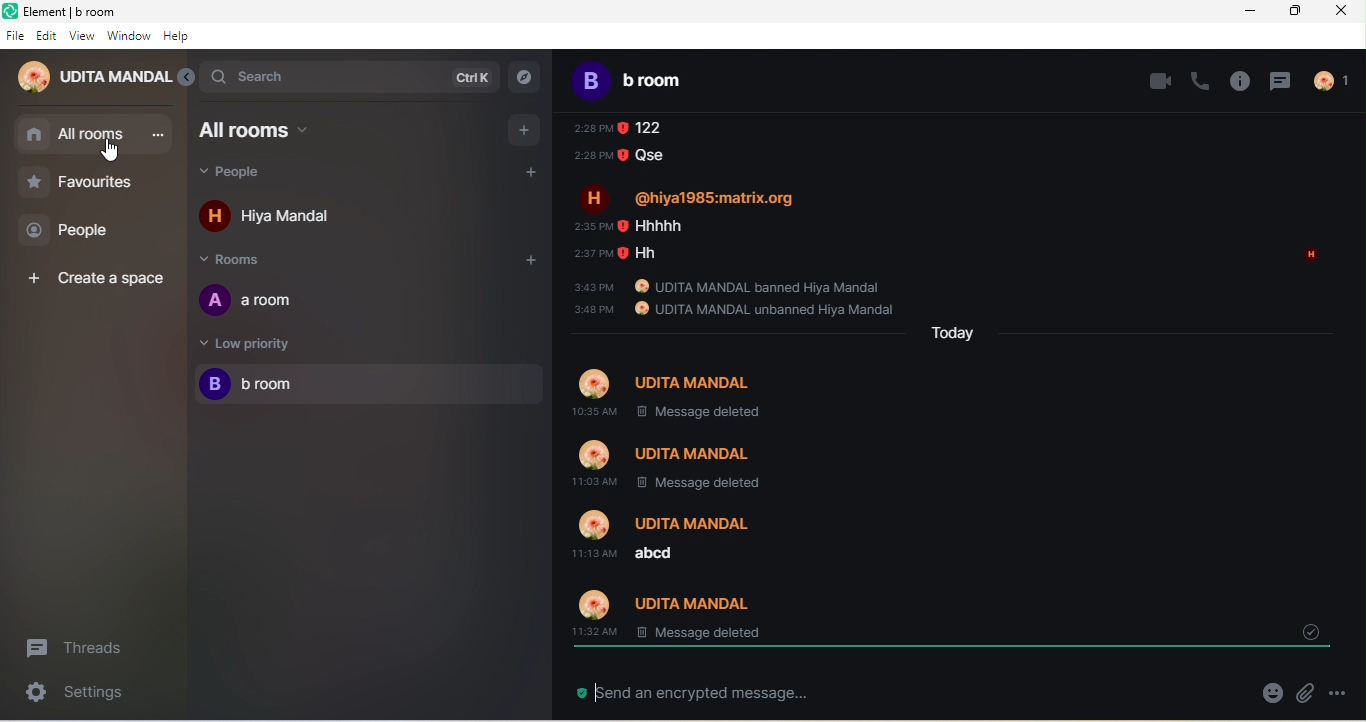 This screenshot has height=722, width=1366. Describe the element at coordinates (530, 260) in the screenshot. I see `add room` at that location.